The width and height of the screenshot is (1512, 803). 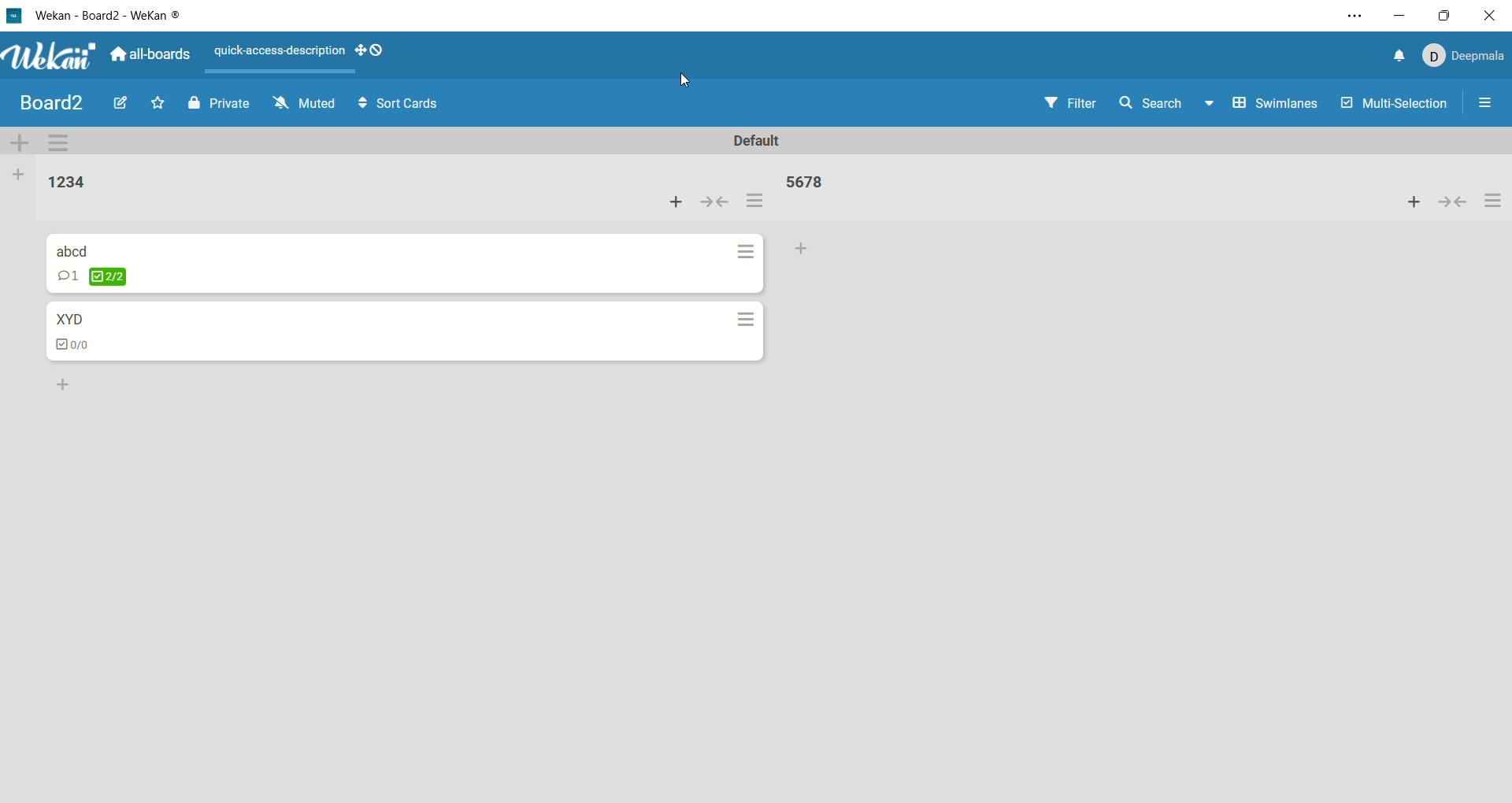 What do you see at coordinates (72, 250) in the screenshot?
I see `card title` at bounding box center [72, 250].